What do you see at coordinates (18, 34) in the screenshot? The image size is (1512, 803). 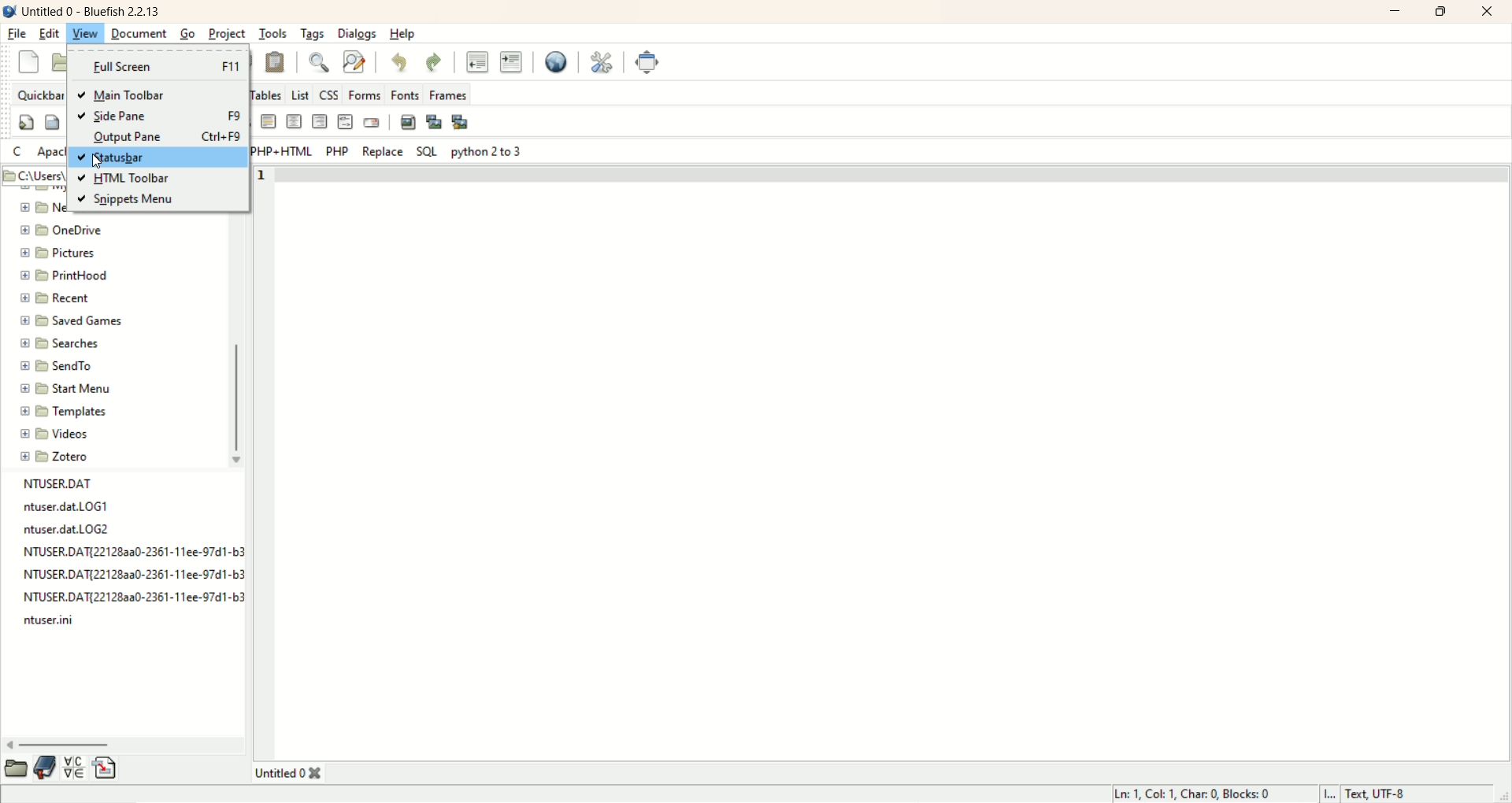 I see `file` at bounding box center [18, 34].